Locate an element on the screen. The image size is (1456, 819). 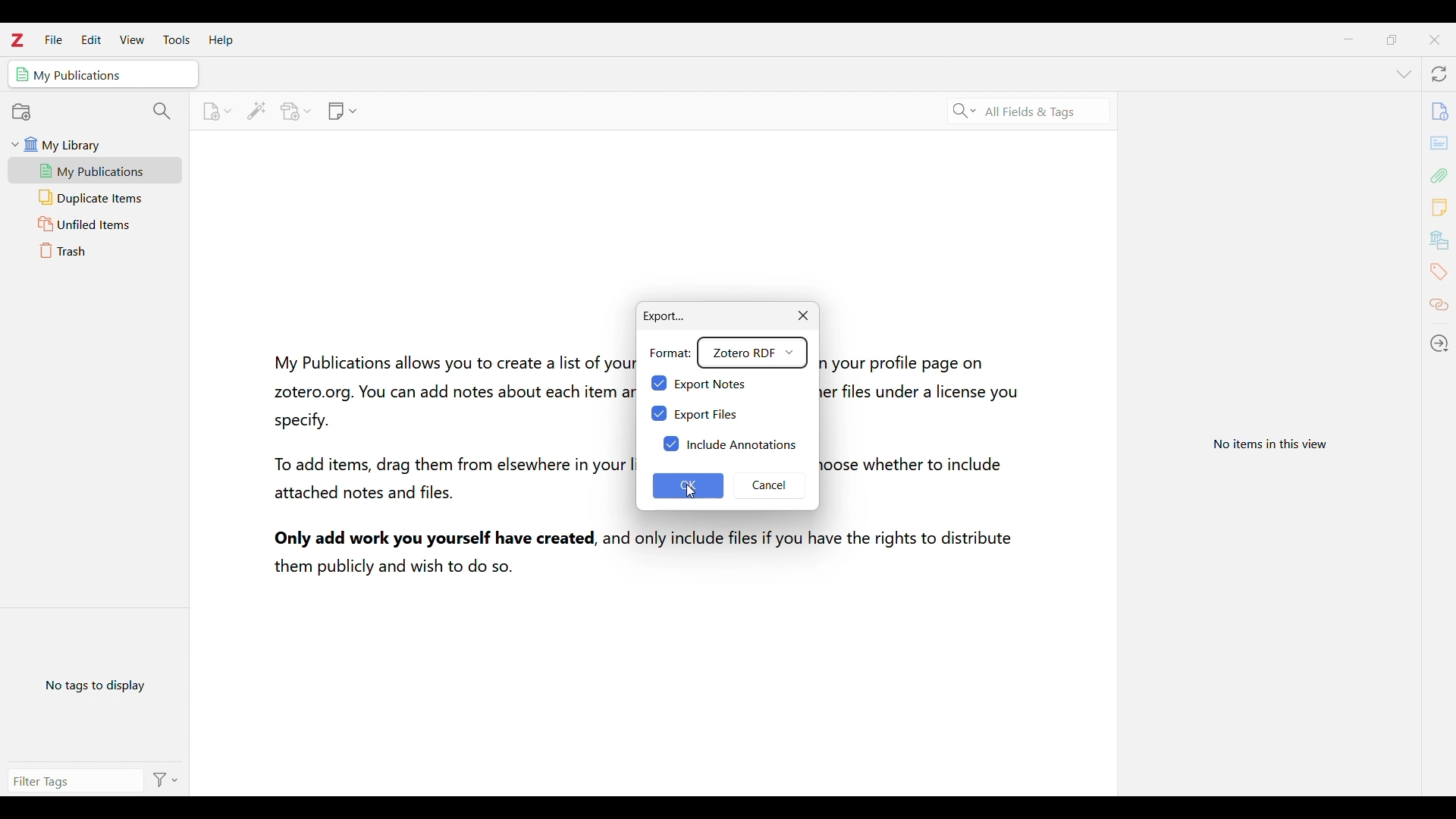
Specific search criteria options is located at coordinates (965, 111).